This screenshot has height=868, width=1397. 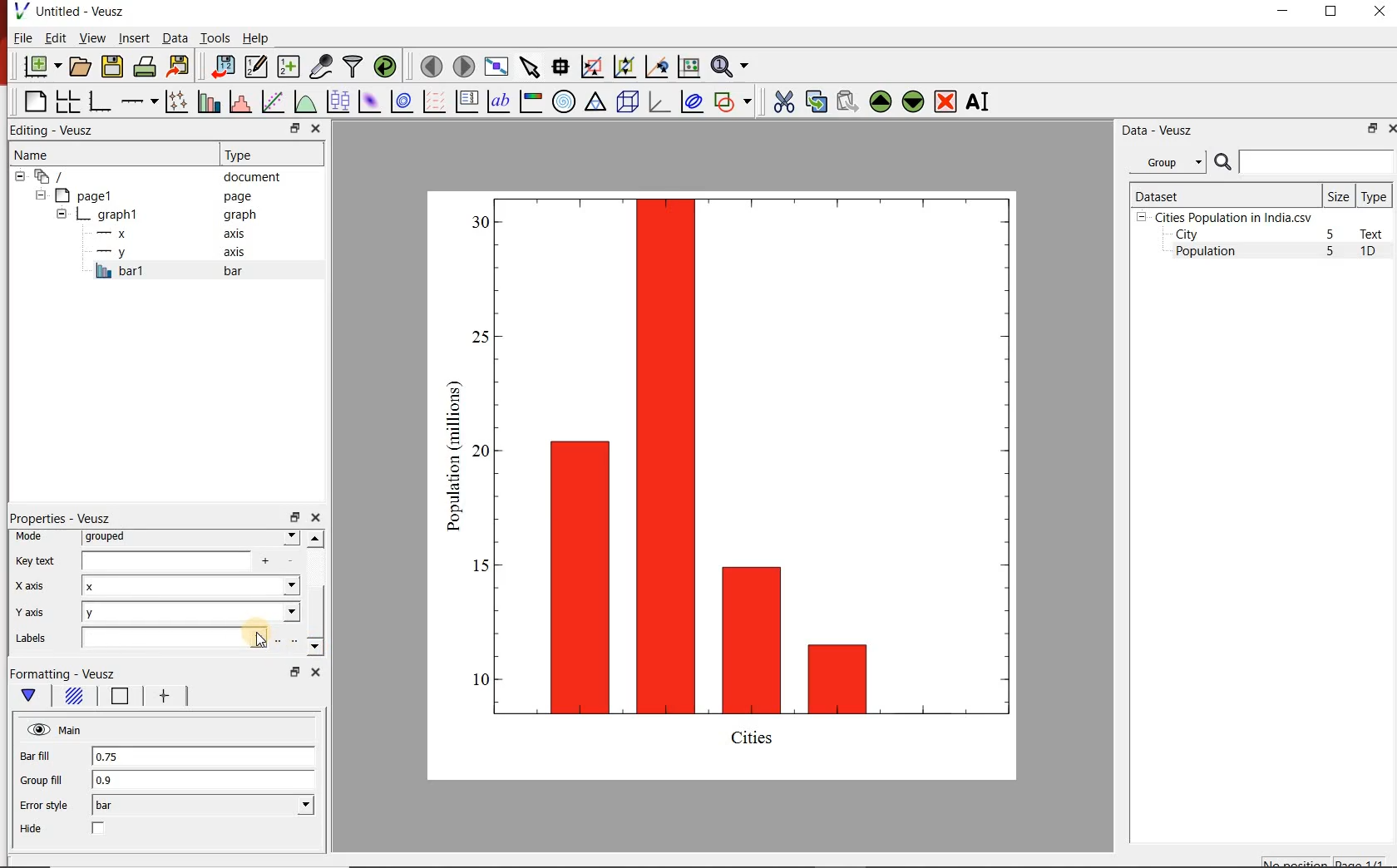 I want to click on move the selected widget down, so click(x=913, y=101).